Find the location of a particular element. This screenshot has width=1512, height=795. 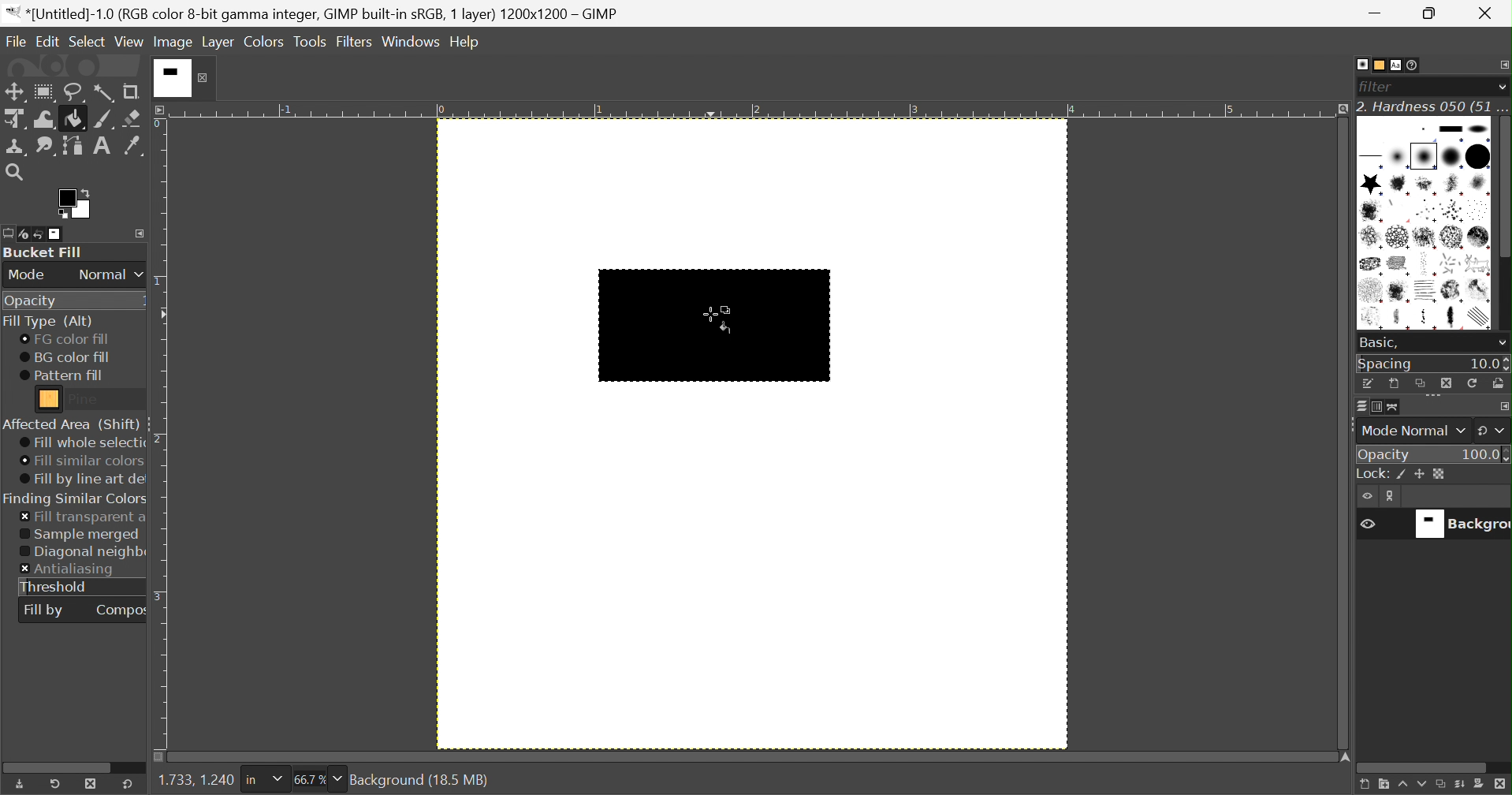

Filters is located at coordinates (354, 43).